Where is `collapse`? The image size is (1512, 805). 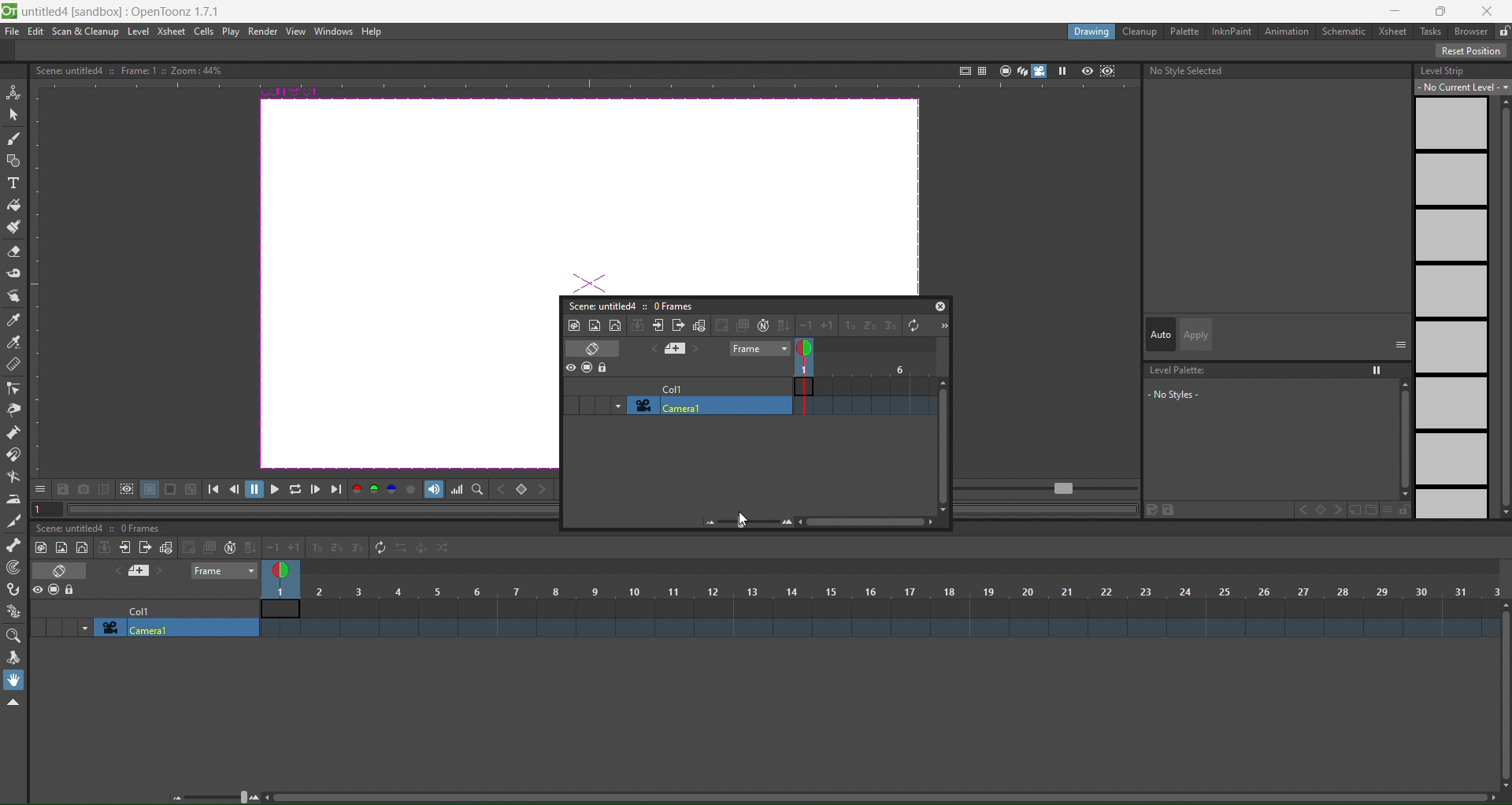 collapse is located at coordinates (638, 325).